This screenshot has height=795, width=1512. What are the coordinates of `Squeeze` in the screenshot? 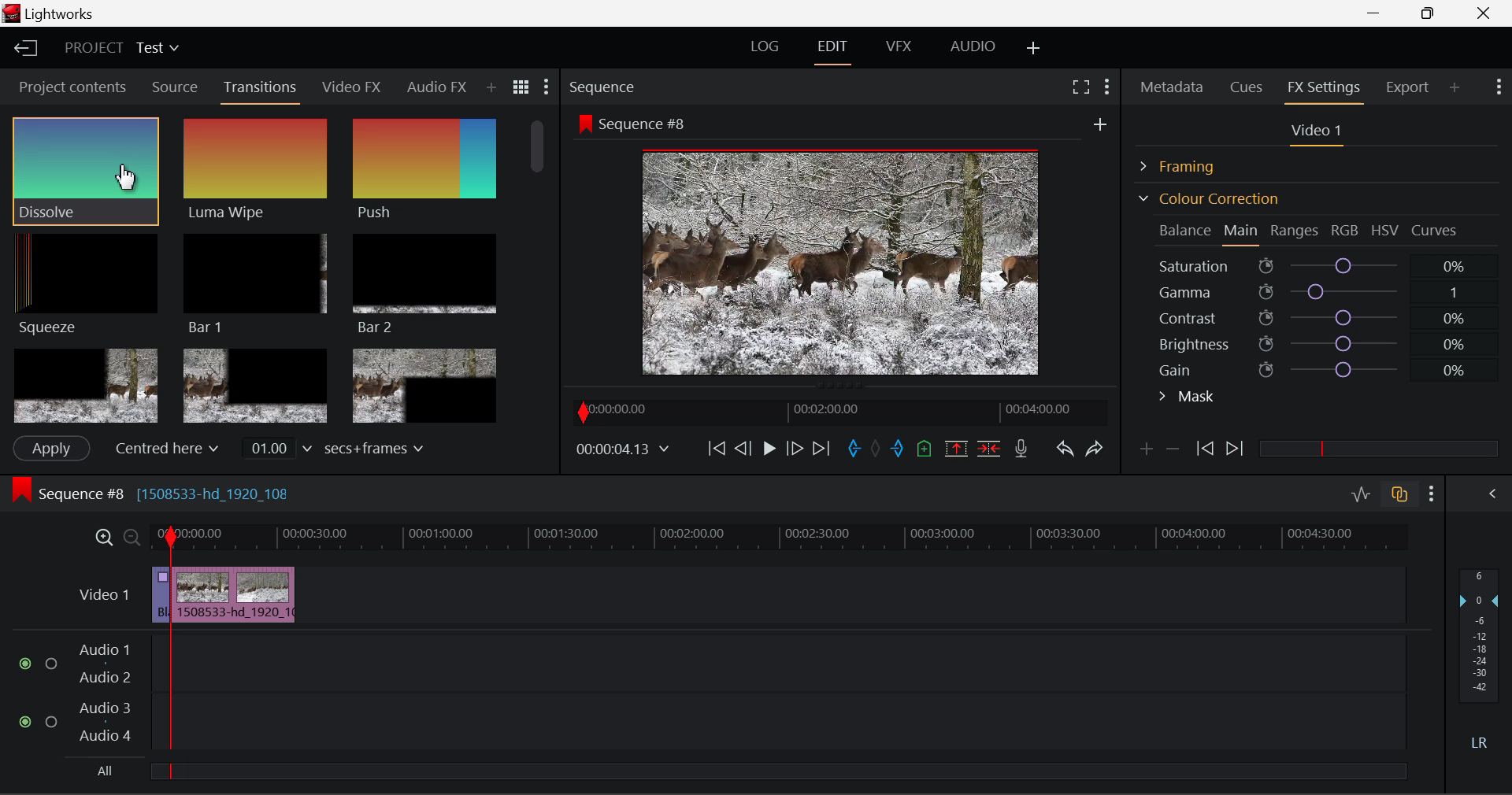 It's located at (80, 283).